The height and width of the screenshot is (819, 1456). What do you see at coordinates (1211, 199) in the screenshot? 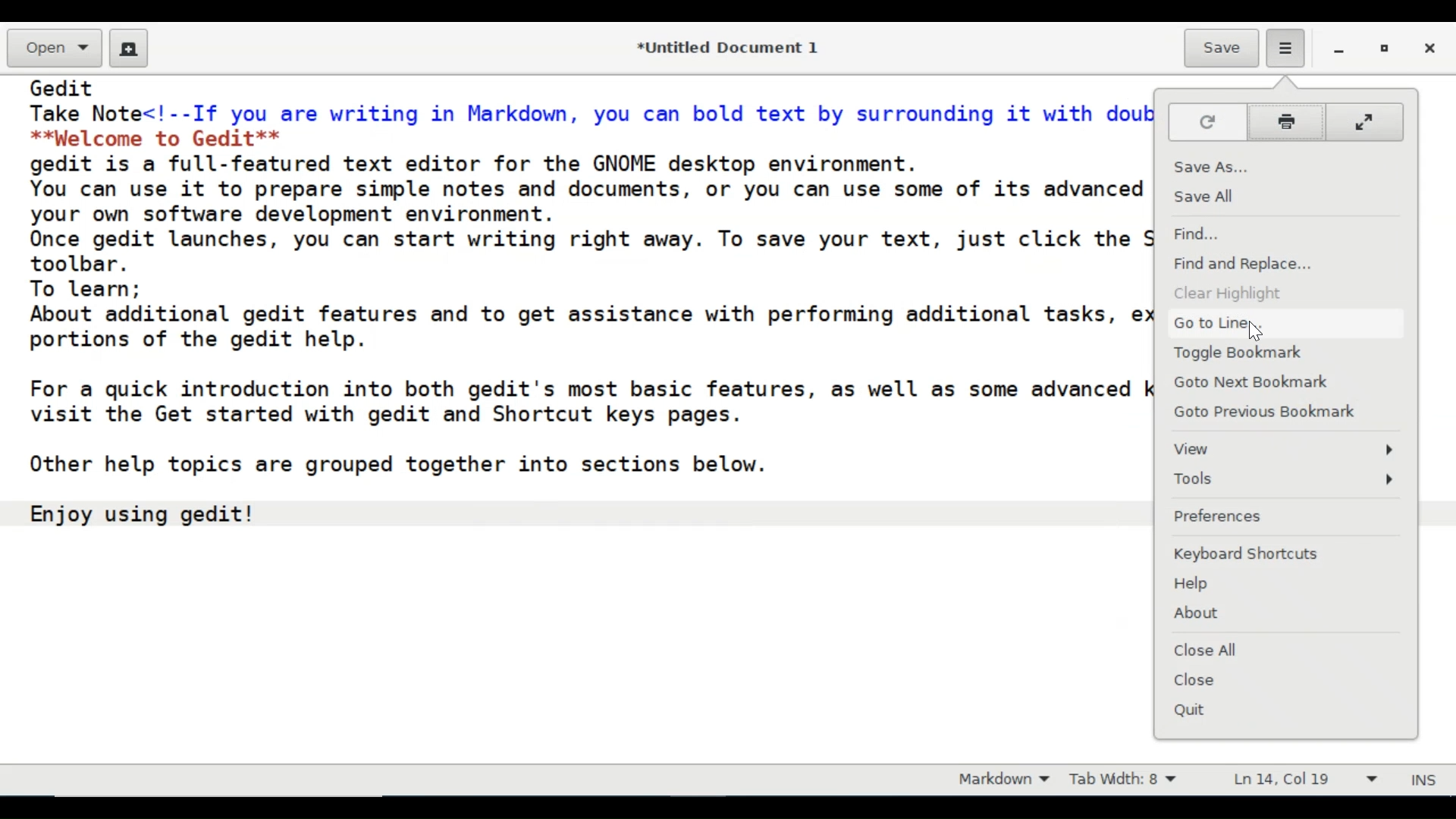
I see `Save All` at bounding box center [1211, 199].